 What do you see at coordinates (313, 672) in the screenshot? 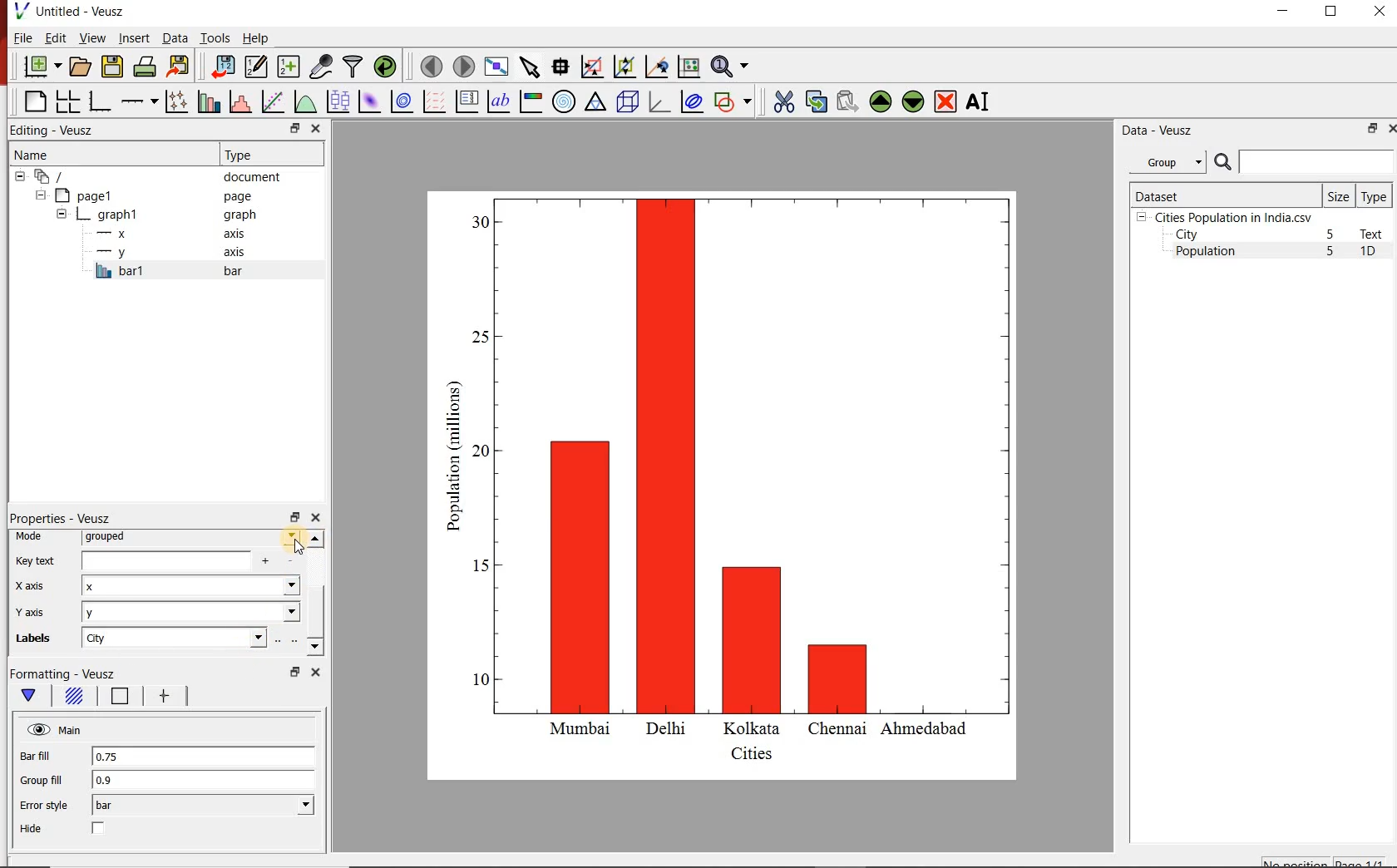
I see `close` at bounding box center [313, 672].